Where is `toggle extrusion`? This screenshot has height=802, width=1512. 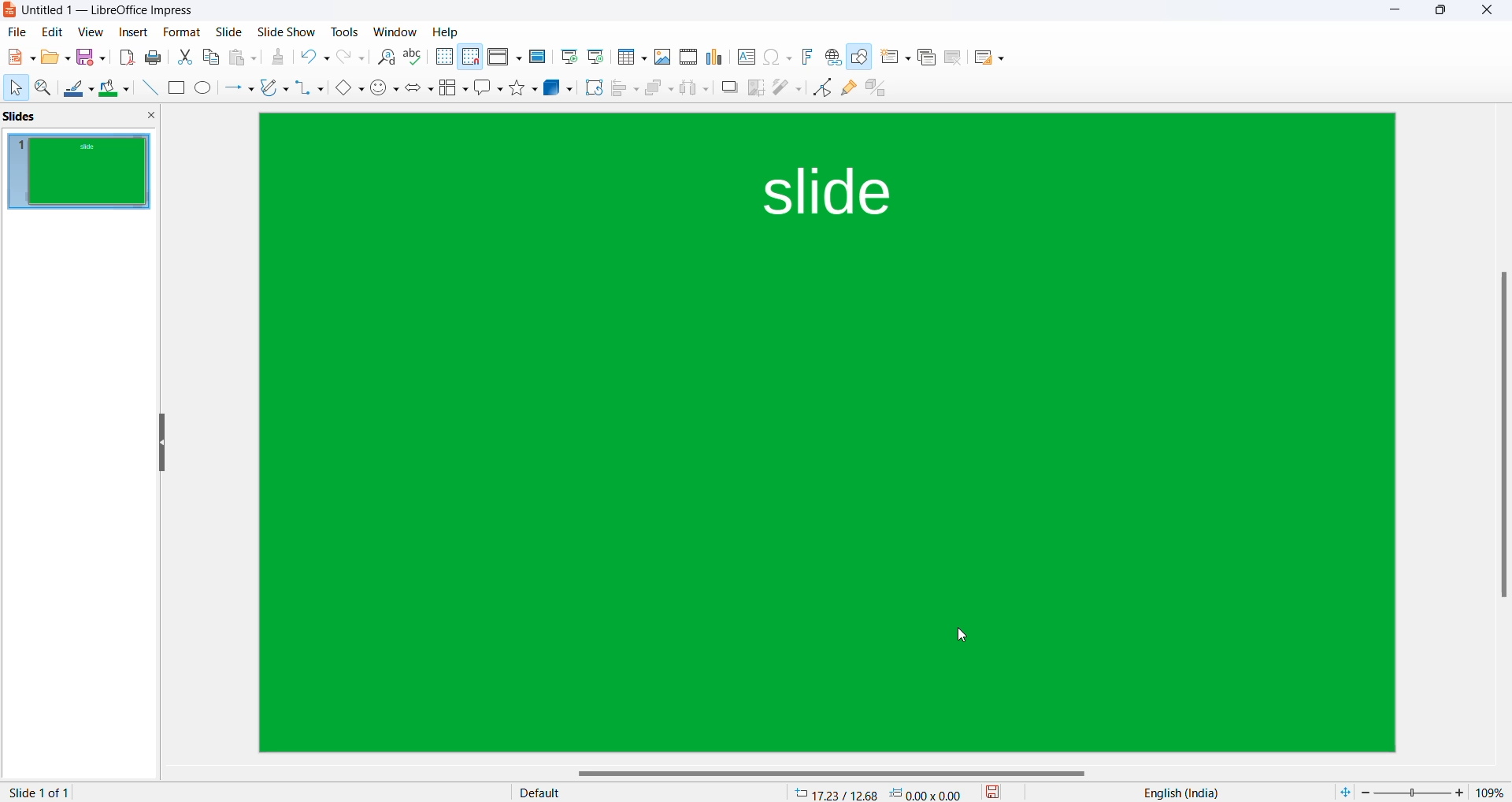 toggle extrusion is located at coordinates (881, 91).